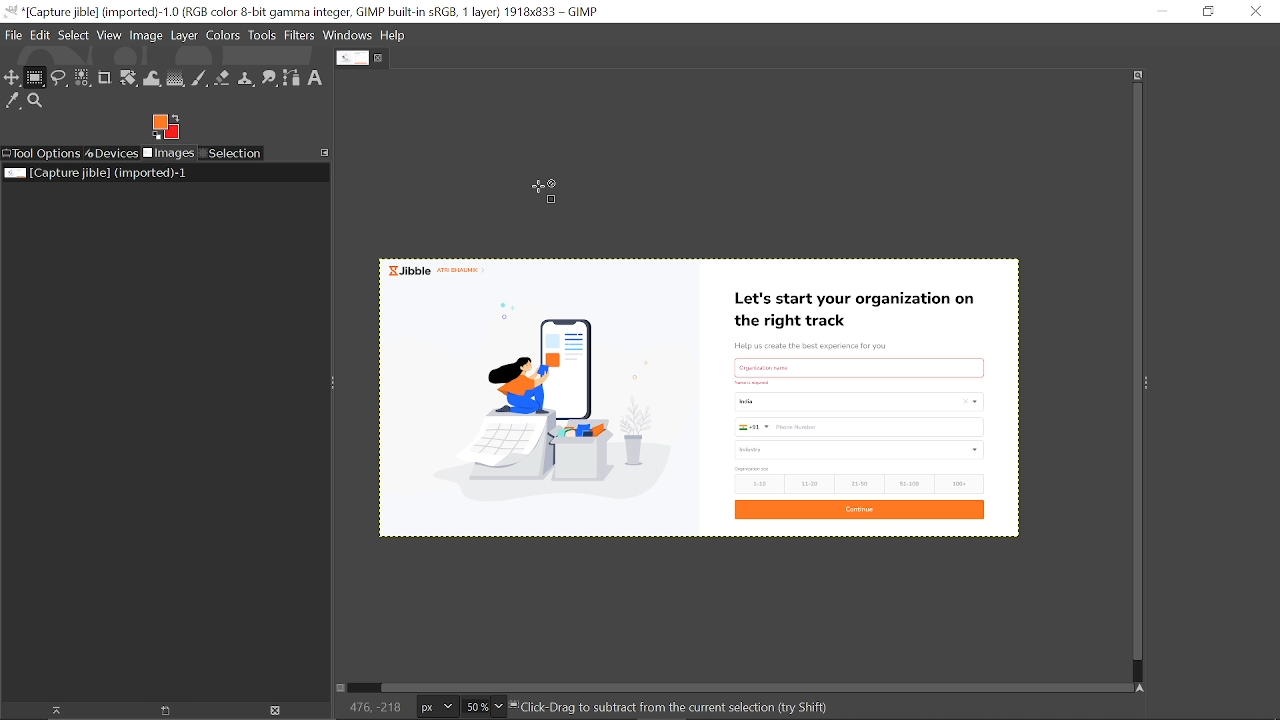  What do you see at coordinates (82, 79) in the screenshot?
I see `Select by color` at bounding box center [82, 79].